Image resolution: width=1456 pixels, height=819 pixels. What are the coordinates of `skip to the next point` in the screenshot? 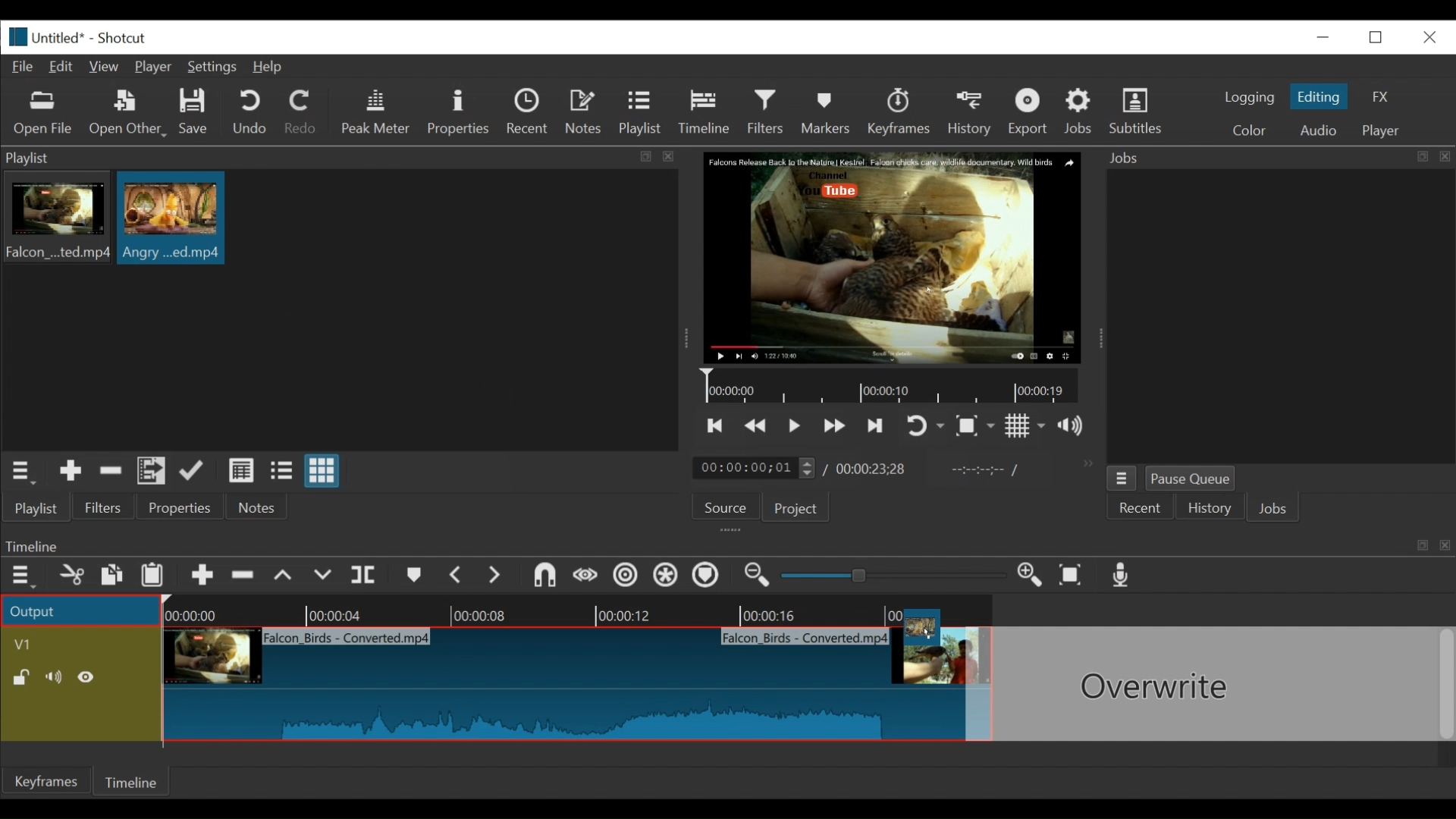 It's located at (877, 425).